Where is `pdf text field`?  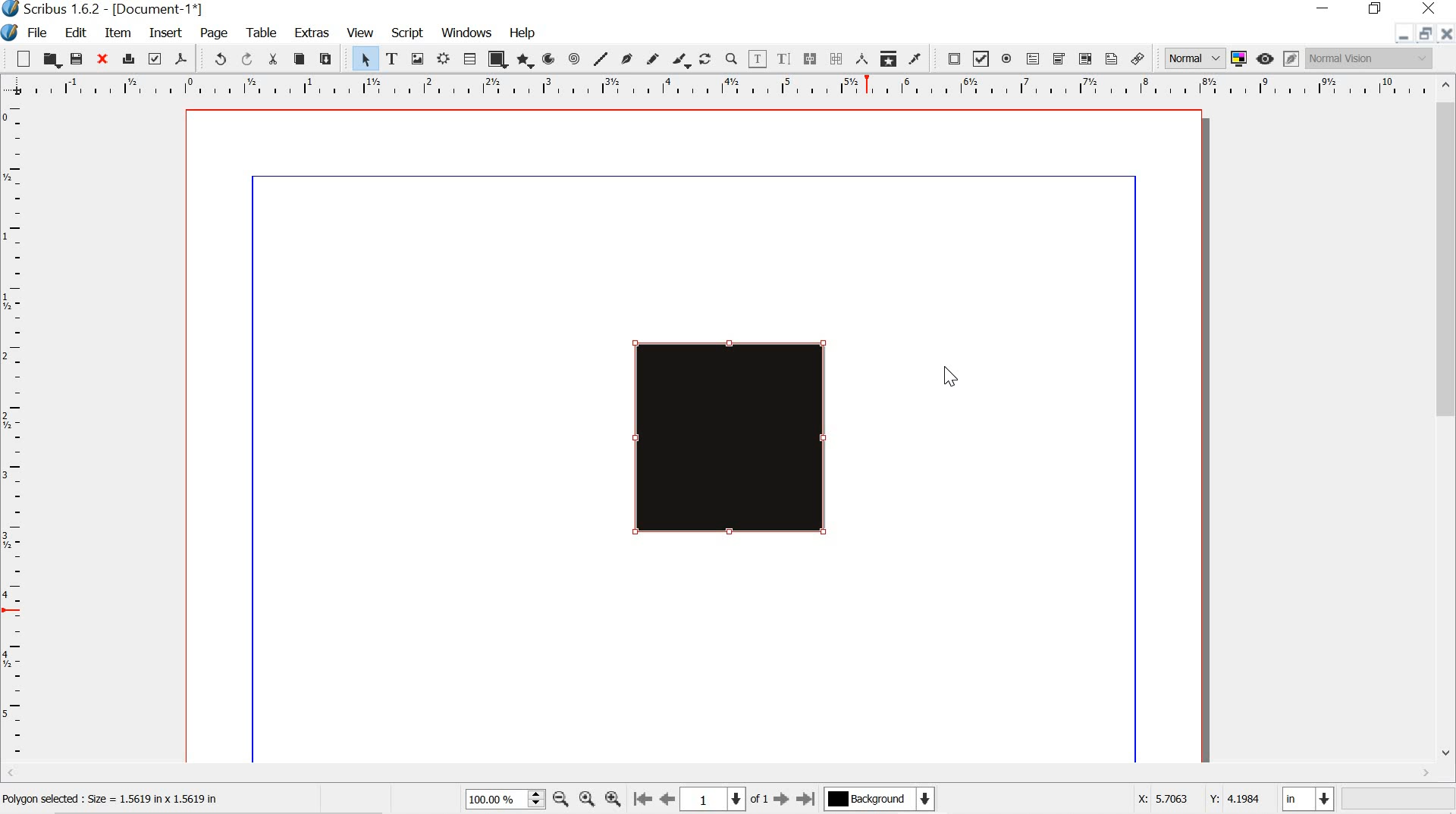 pdf text field is located at coordinates (1036, 59).